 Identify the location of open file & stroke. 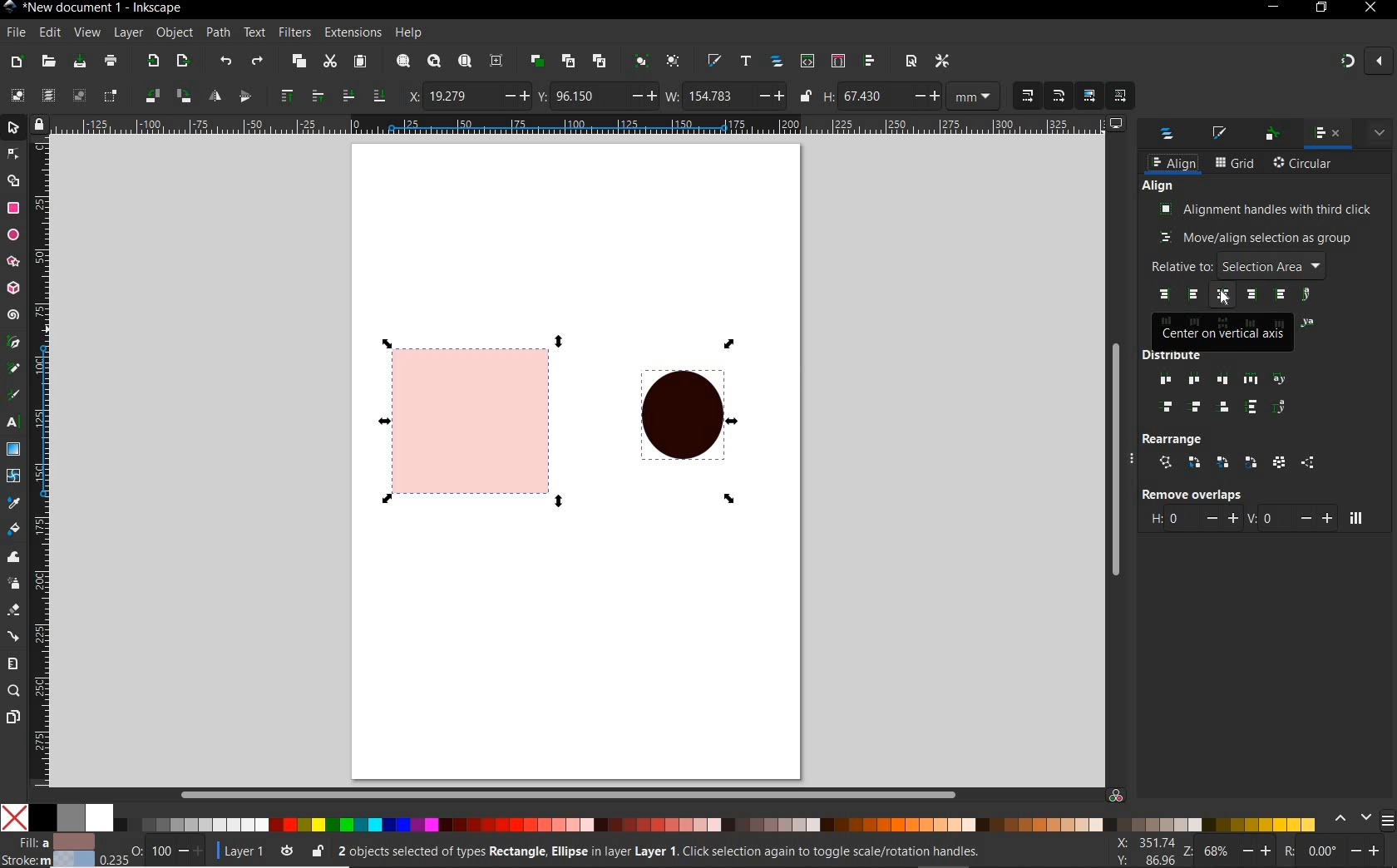
(714, 60).